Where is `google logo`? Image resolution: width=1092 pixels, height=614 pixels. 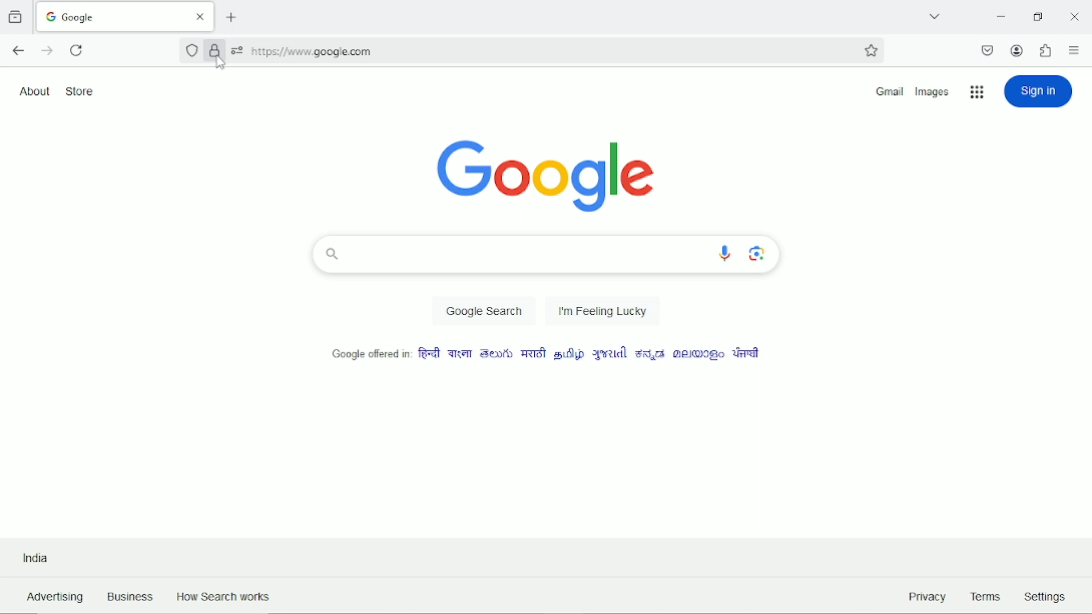
google logo is located at coordinates (547, 172).